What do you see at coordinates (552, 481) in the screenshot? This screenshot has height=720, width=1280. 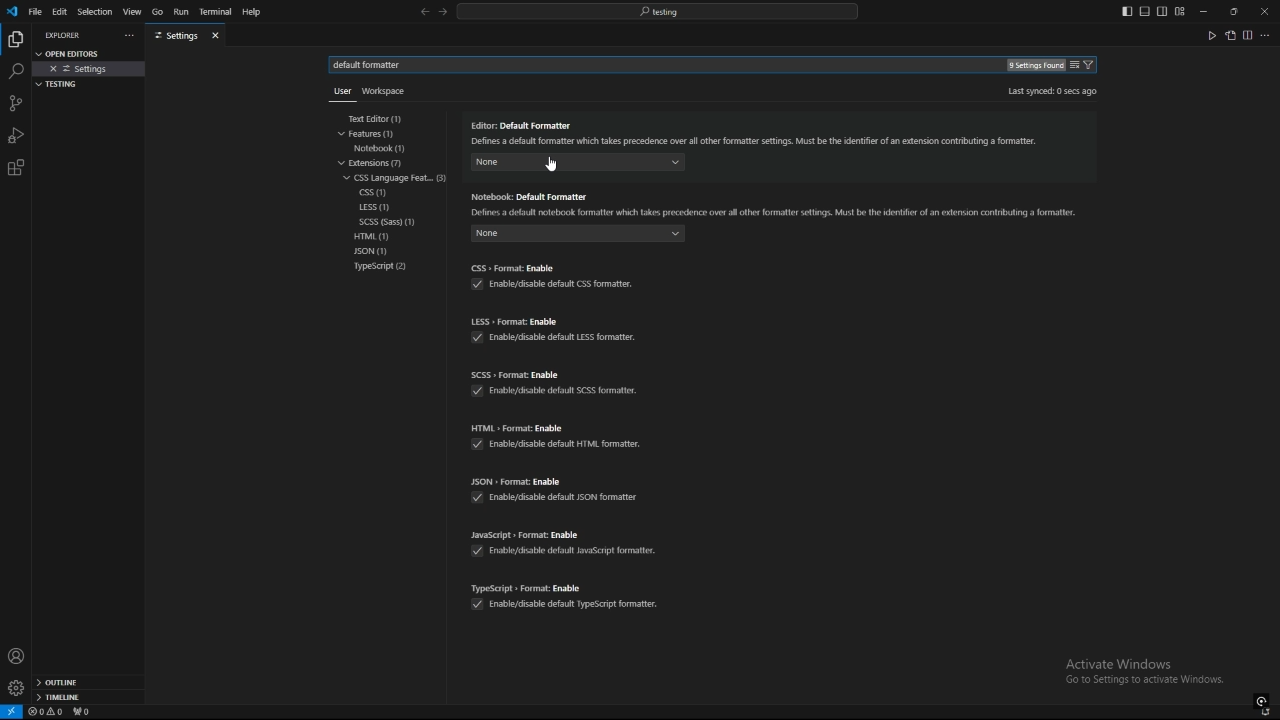 I see `json format enable` at bounding box center [552, 481].